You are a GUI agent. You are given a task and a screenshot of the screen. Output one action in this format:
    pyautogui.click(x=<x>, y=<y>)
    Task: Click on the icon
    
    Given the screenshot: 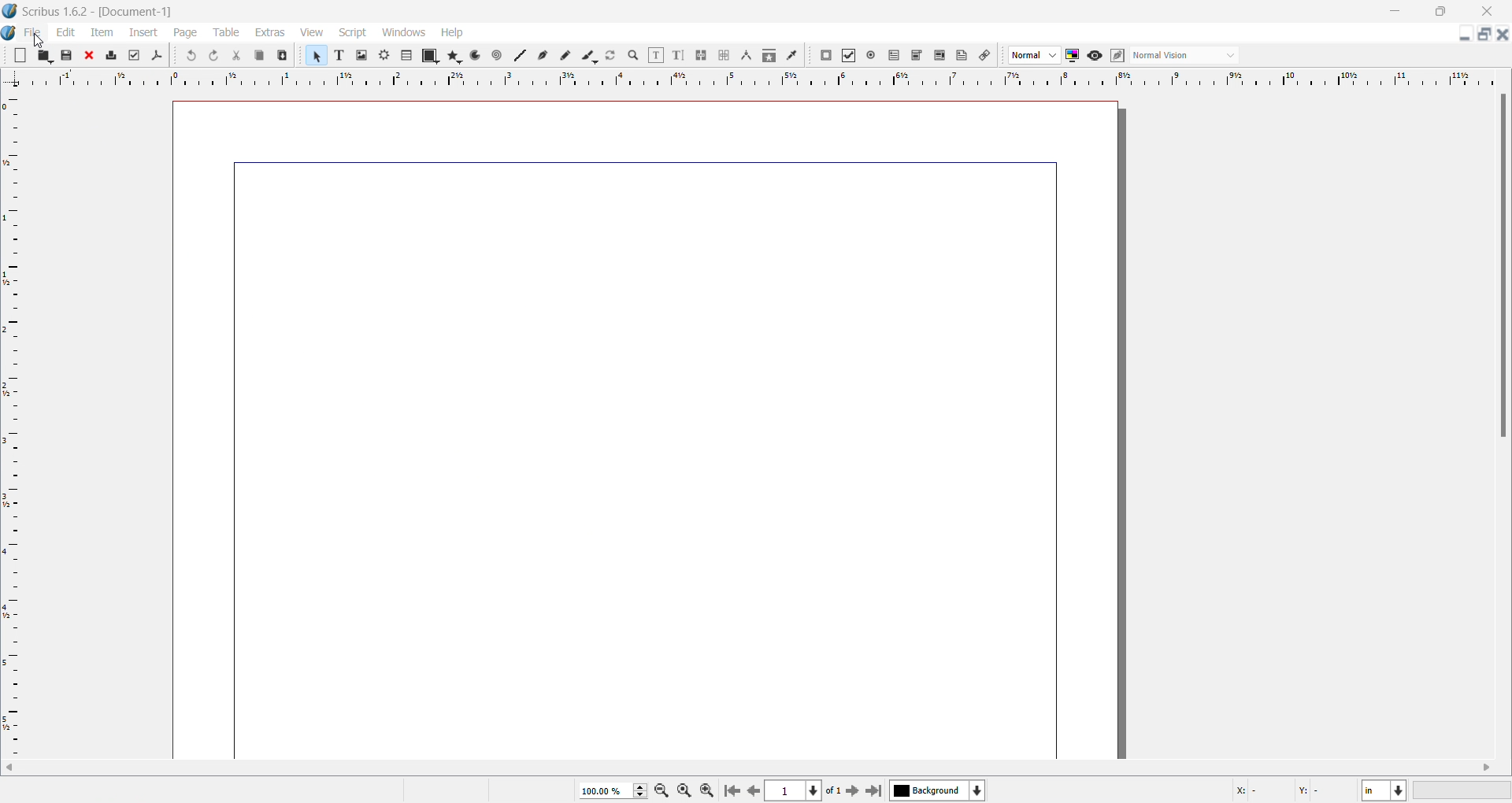 What is the action you would take?
    pyautogui.click(x=431, y=54)
    